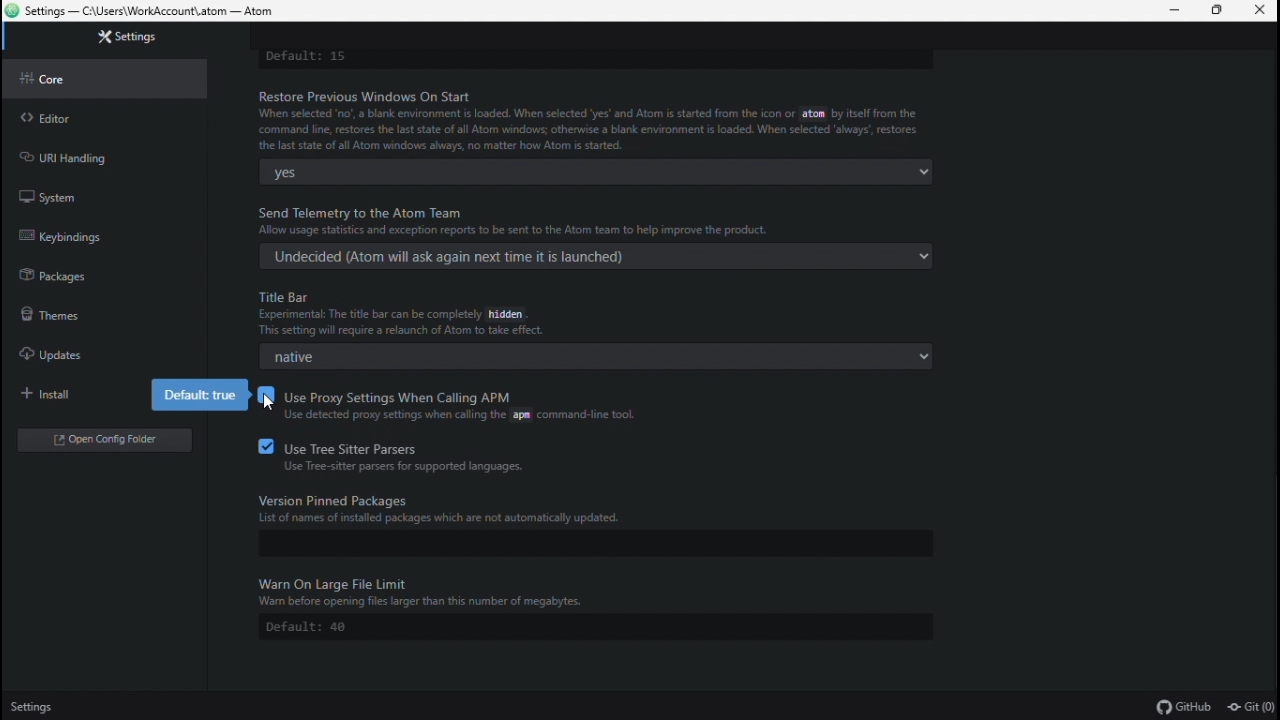 Image resolution: width=1280 pixels, height=720 pixels. I want to click on Use tree sitter, so click(447, 457).